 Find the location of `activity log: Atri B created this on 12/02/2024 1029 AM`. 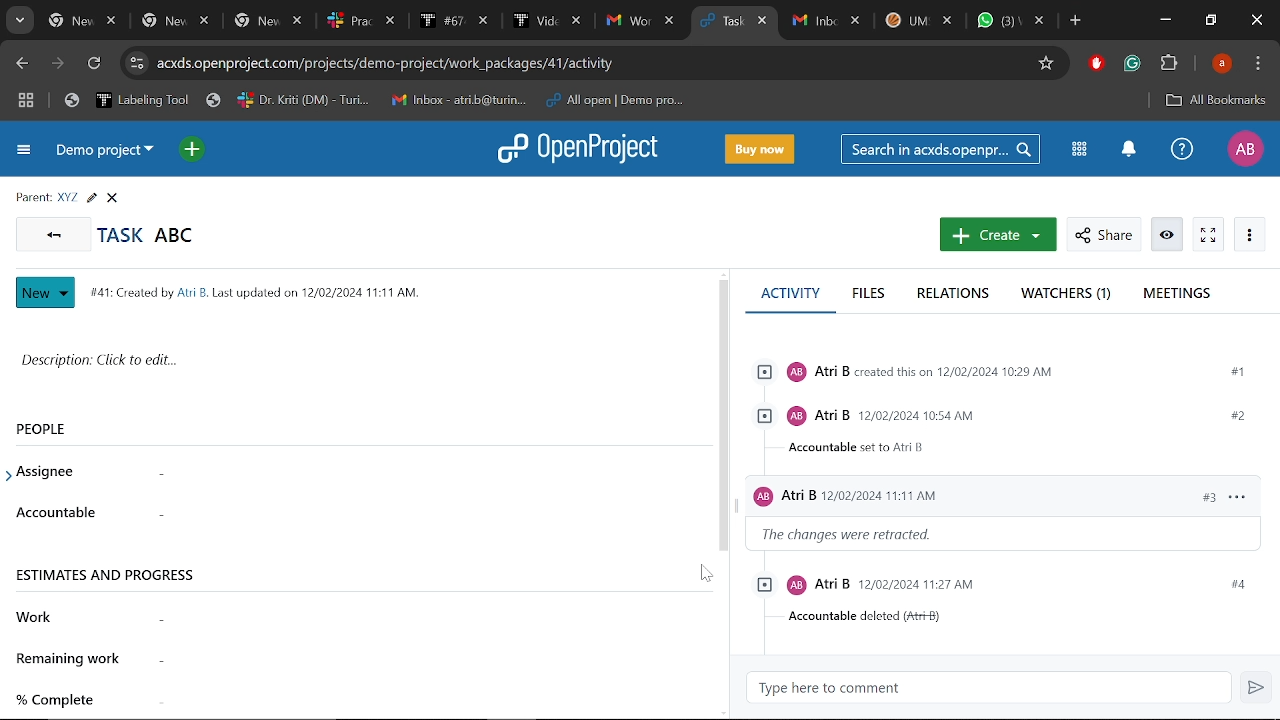

activity log: Atri B created this on 12/02/2024 1029 AM is located at coordinates (1005, 374).